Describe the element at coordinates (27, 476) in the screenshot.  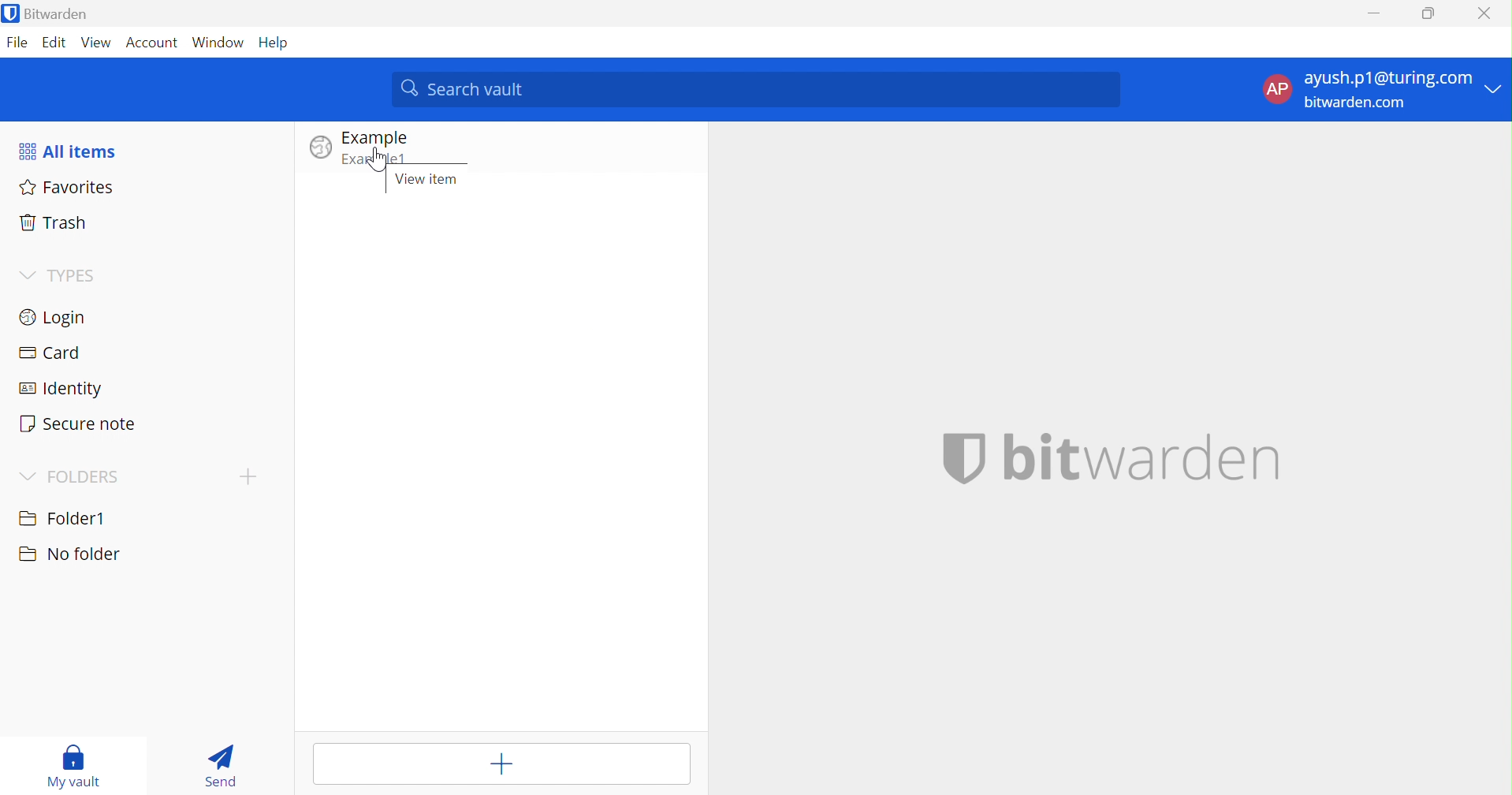
I see `Drop Down` at that location.